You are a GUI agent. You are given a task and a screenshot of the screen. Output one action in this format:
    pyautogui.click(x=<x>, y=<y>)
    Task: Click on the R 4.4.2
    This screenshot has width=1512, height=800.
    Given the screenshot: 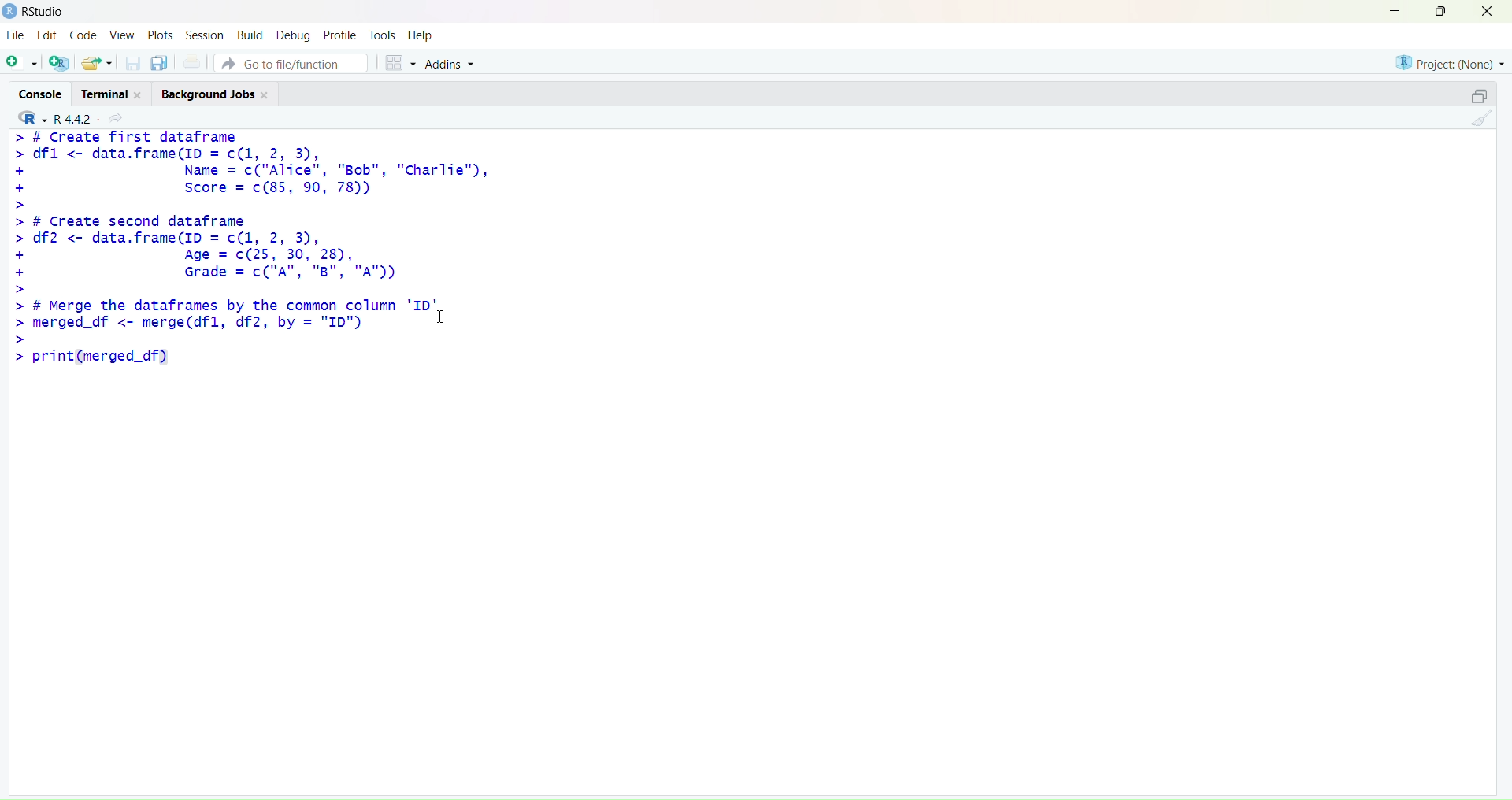 What is the action you would take?
    pyautogui.click(x=54, y=117)
    